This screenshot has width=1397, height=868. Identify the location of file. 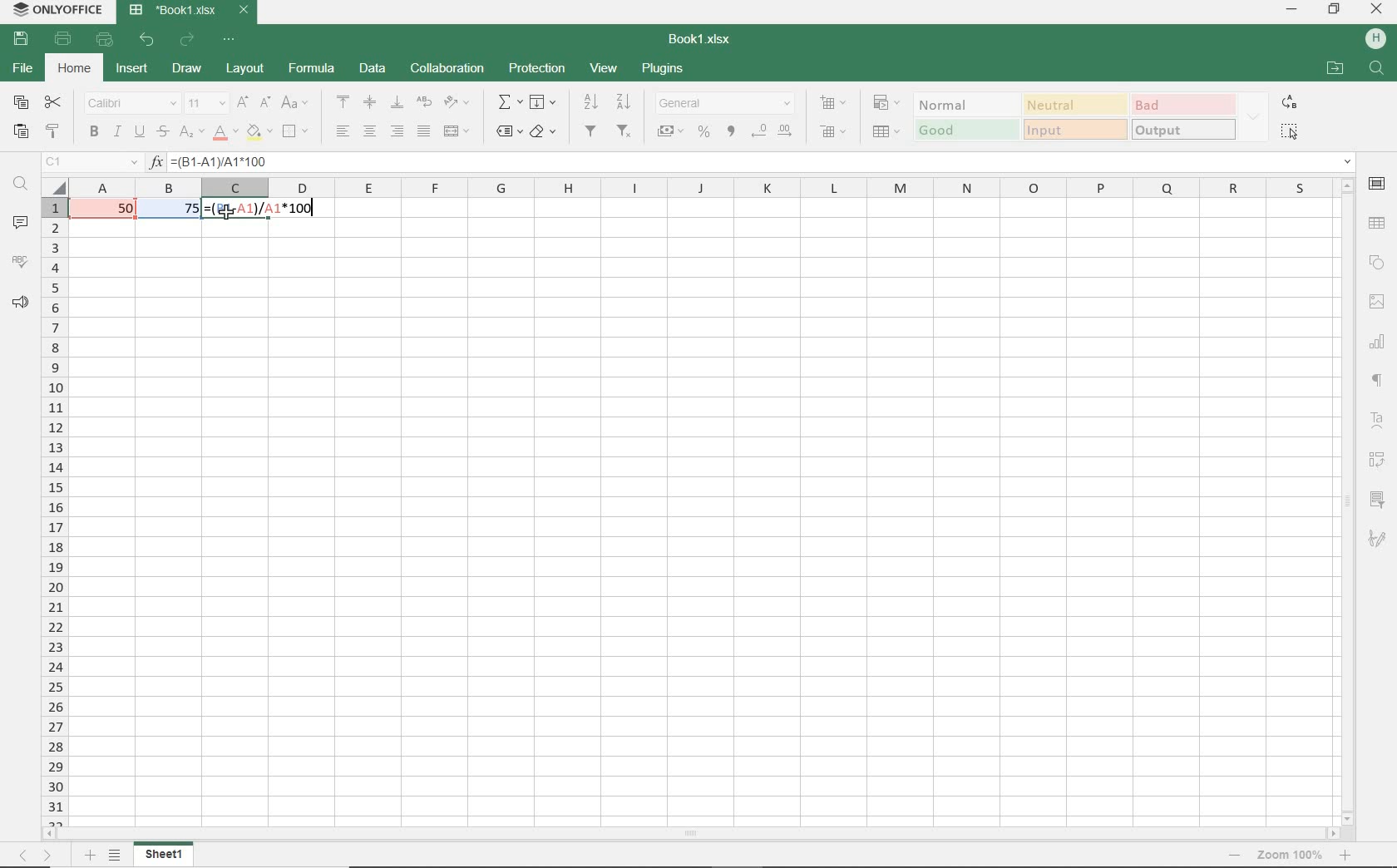
(21, 70).